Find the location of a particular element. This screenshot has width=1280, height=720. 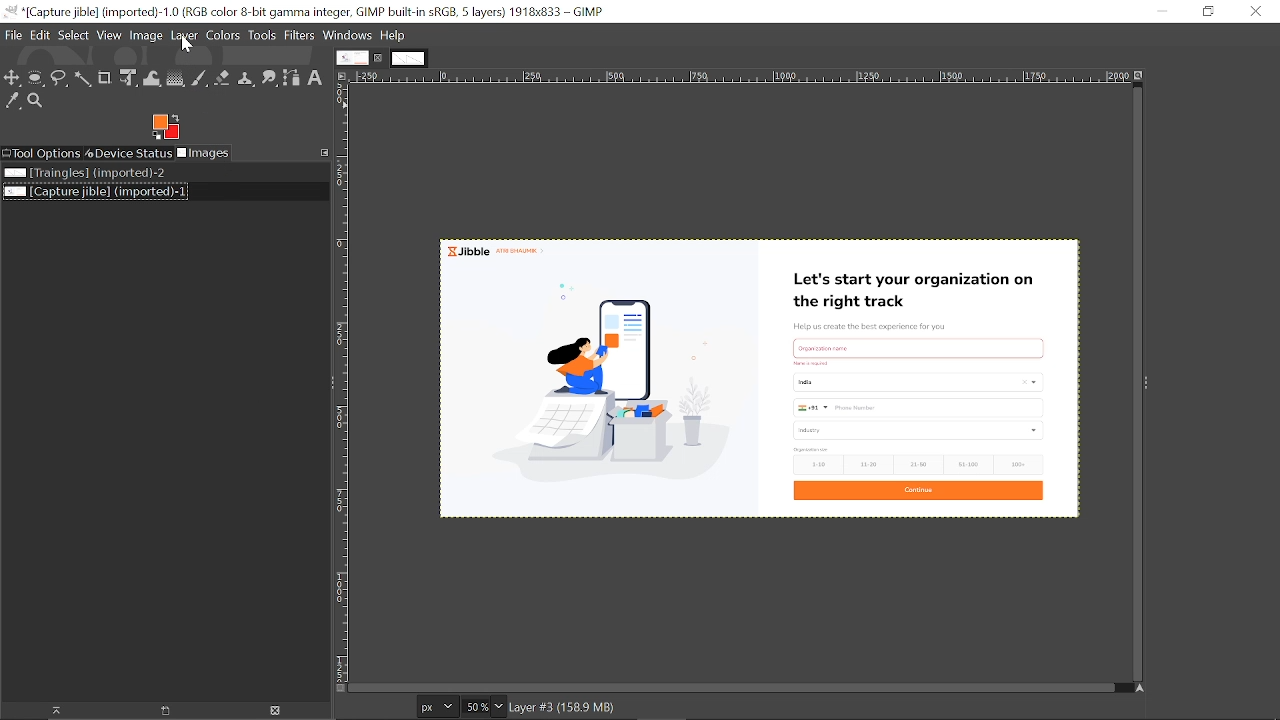

Zoom tool is located at coordinates (39, 102).